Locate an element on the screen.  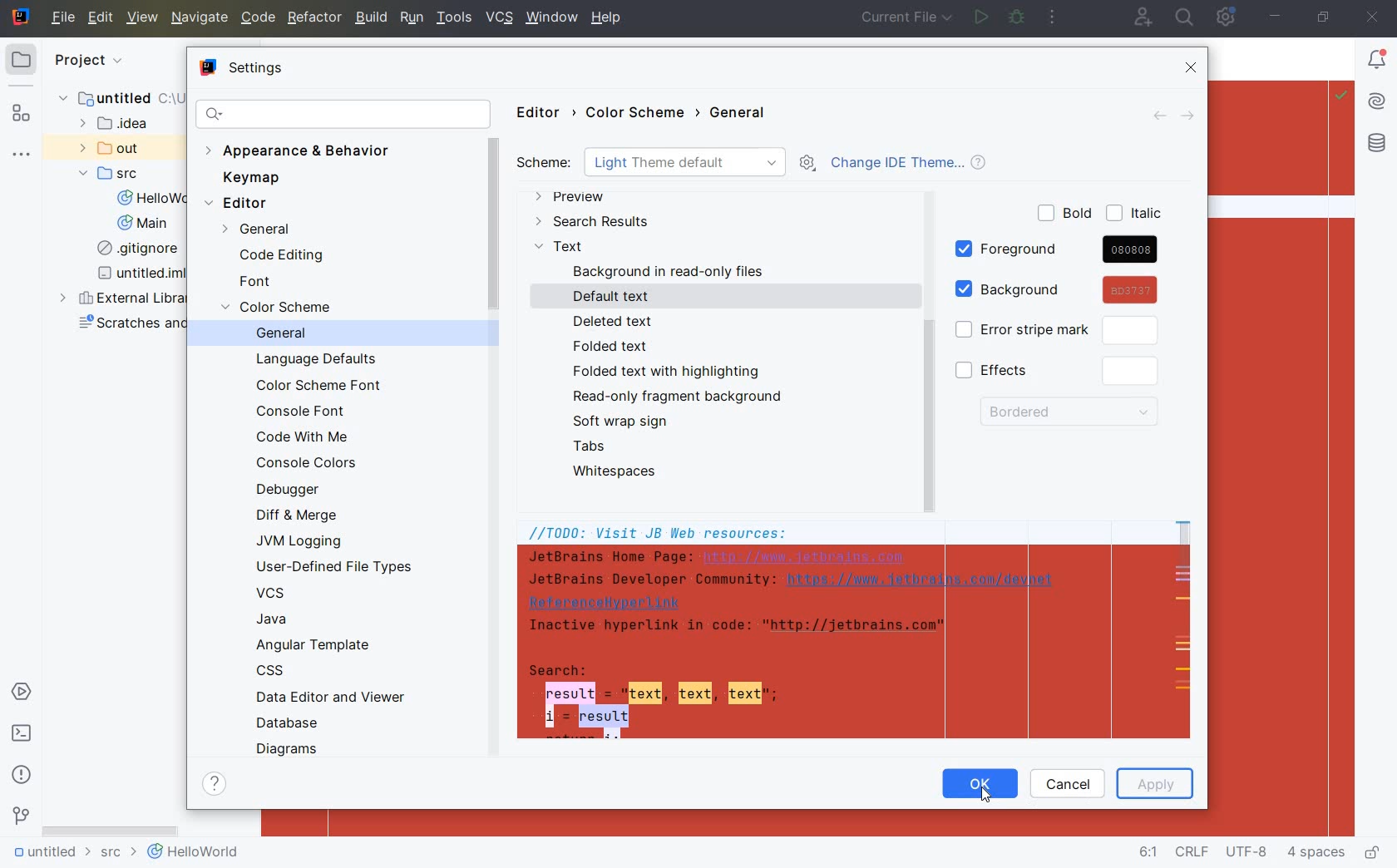
BORDERED is located at coordinates (1067, 415).